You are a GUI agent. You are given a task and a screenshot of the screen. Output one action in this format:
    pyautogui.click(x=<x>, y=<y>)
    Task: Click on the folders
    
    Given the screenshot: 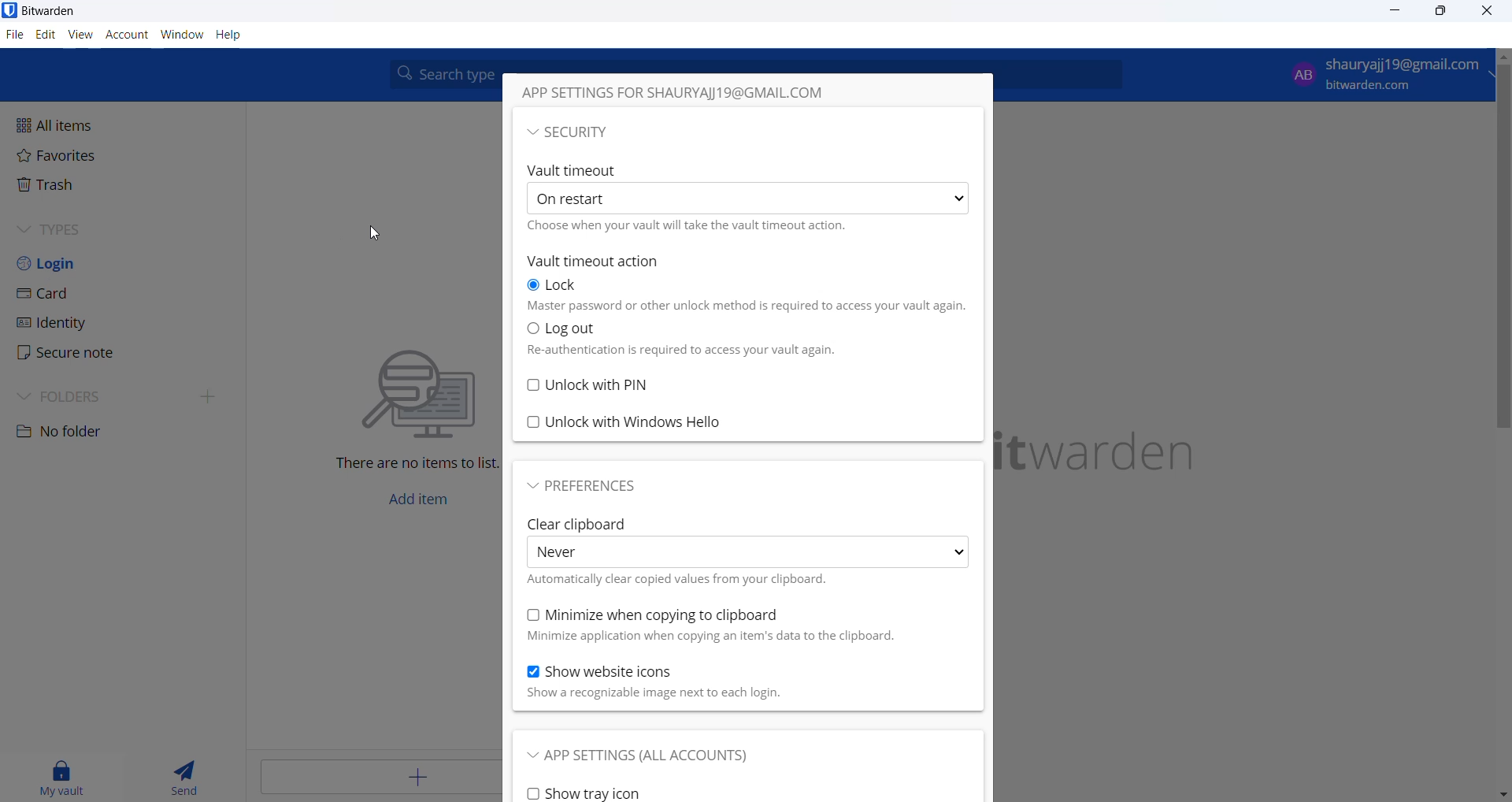 What is the action you would take?
    pyautogui.click(x=124, y=396)
    